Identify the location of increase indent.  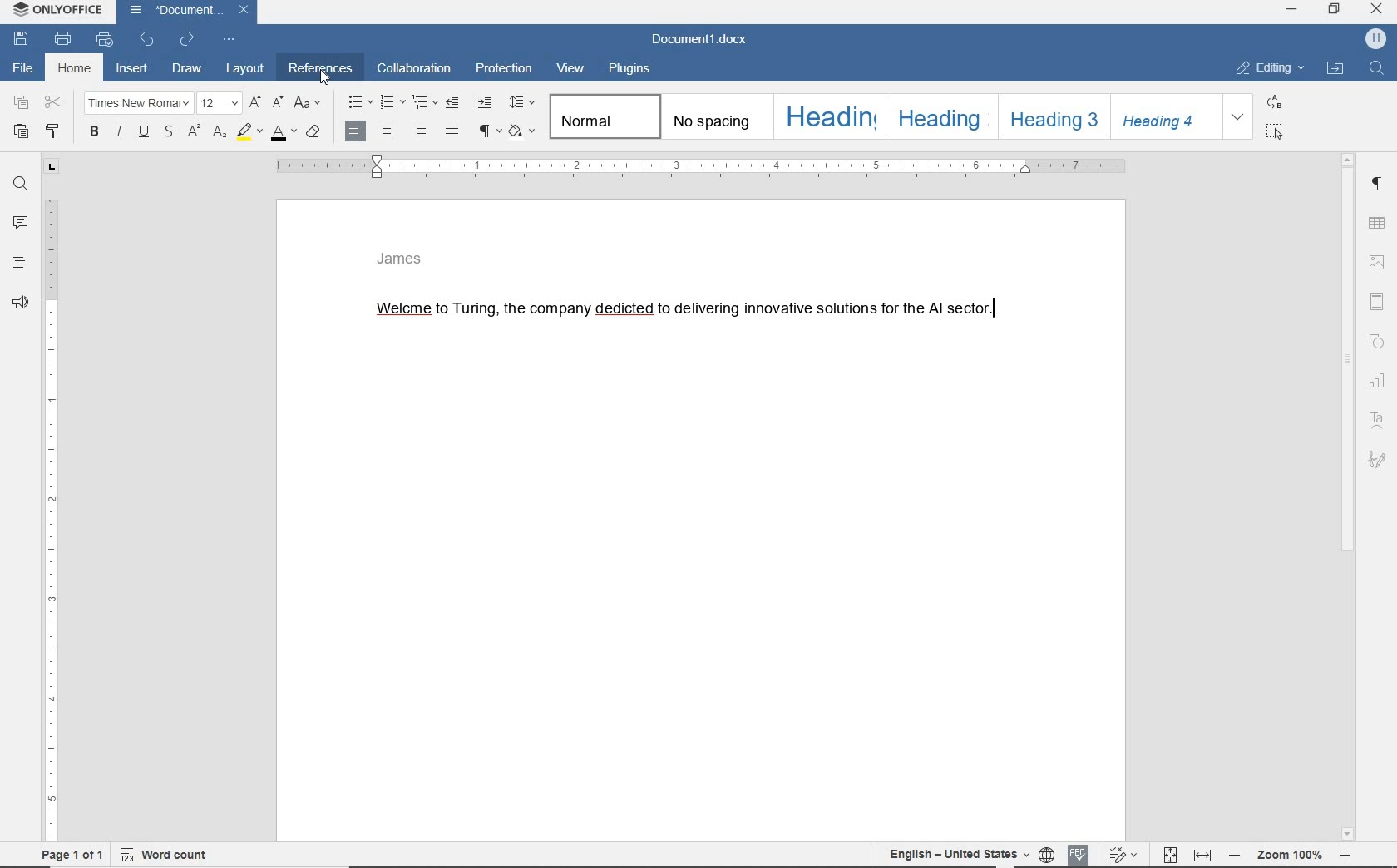
(486, 102).